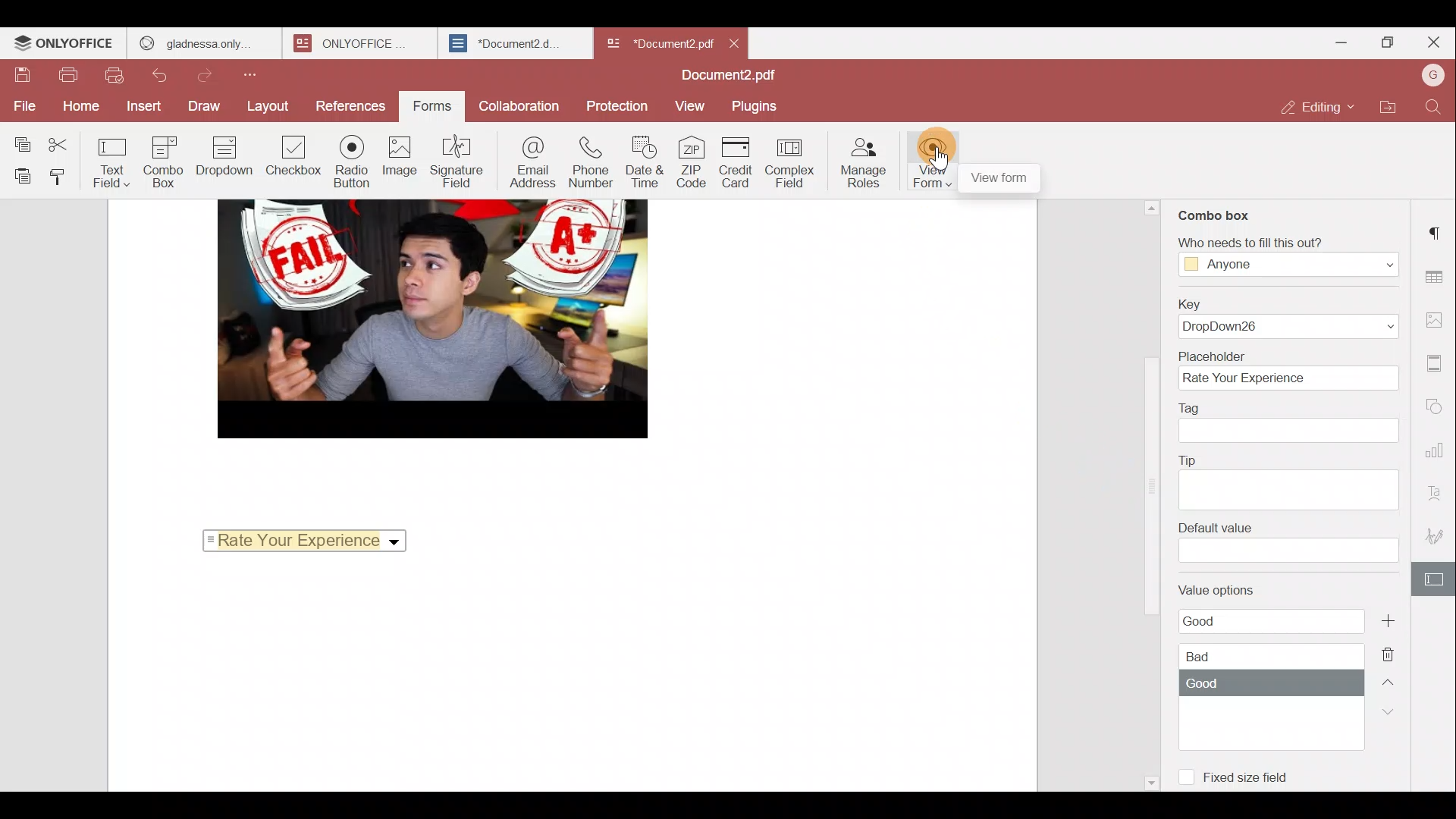 The image size is (1456, 819). Describe the element at coordinates (457, 161) in the screenshot. I see `Signature field` at that location.